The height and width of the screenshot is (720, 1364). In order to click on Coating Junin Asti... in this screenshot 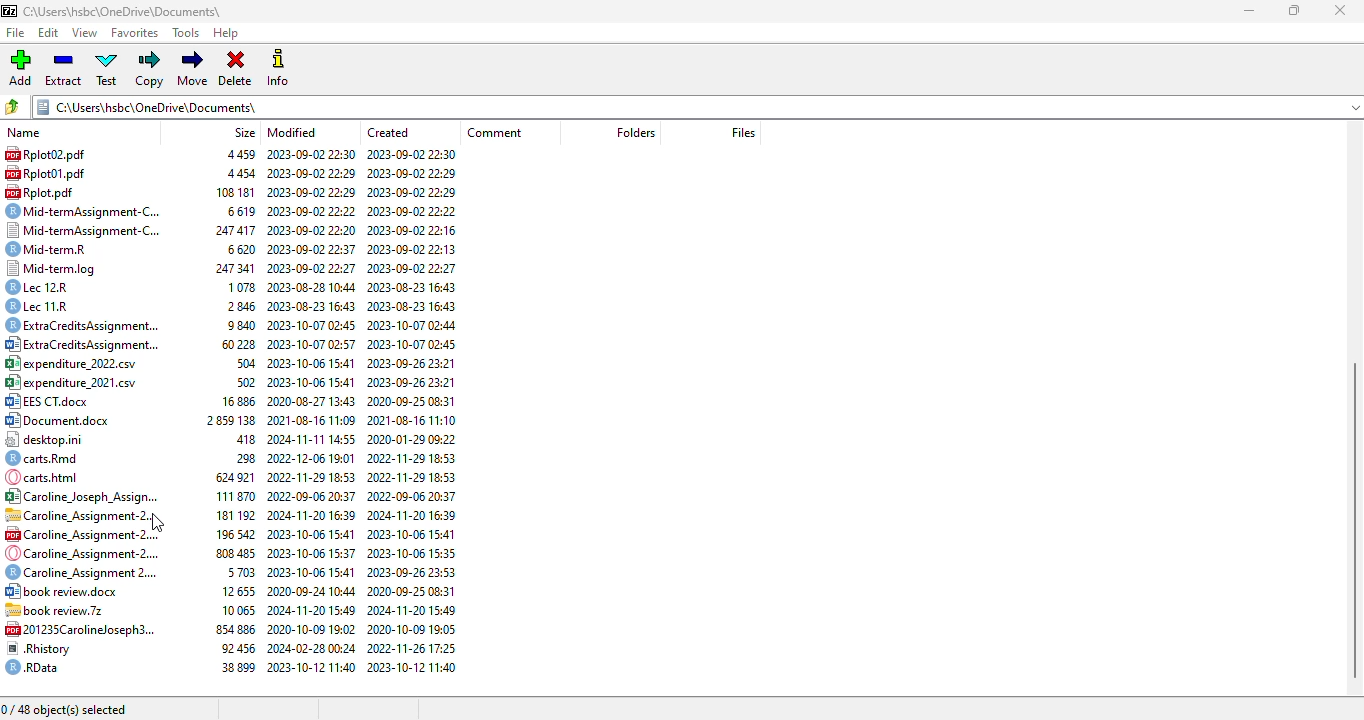, I will do `click(81, 495)`.